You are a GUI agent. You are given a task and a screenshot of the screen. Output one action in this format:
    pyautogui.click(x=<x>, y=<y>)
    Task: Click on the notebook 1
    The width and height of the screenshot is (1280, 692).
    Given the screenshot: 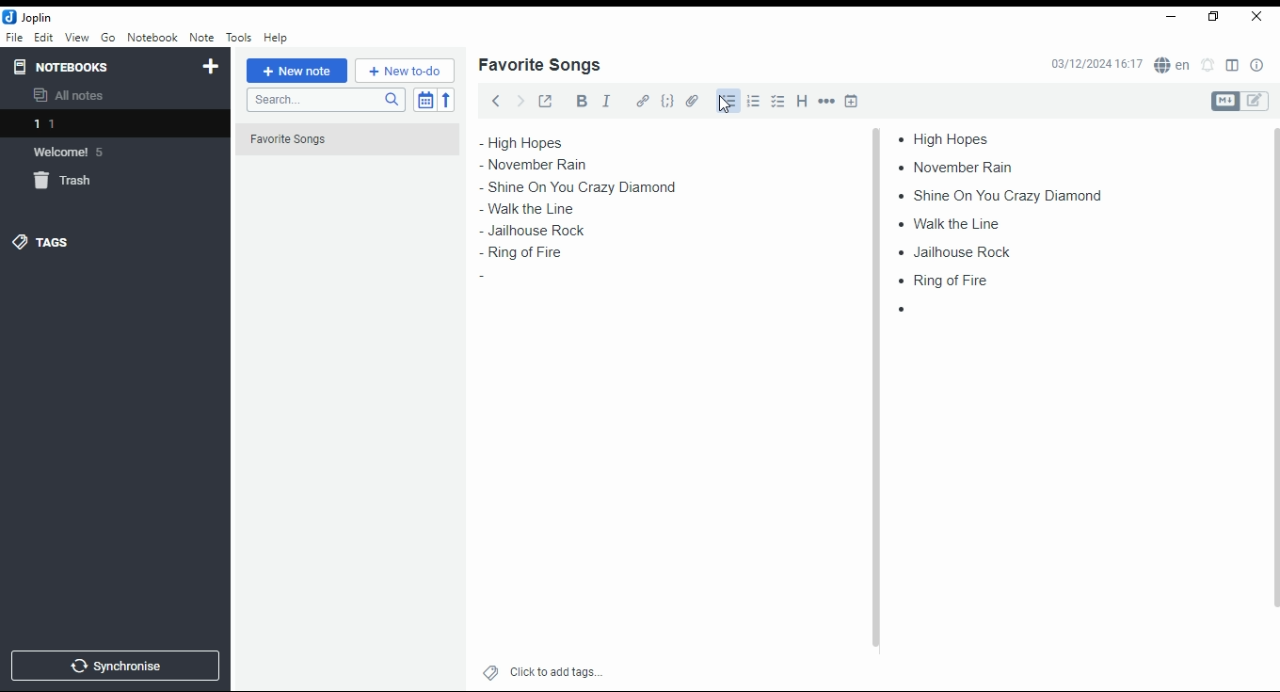 What is the action you would take?
    pyautogui.click(x=73, y=126)
    